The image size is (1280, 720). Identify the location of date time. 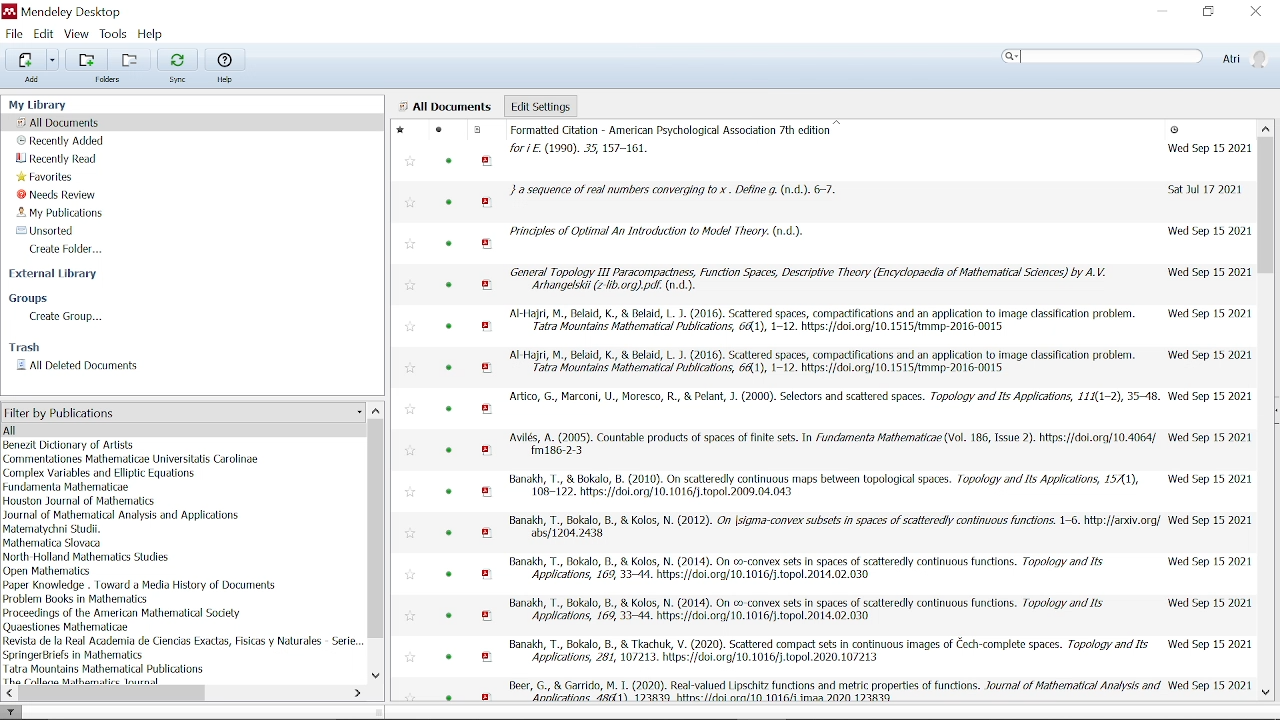
(1209, 396).